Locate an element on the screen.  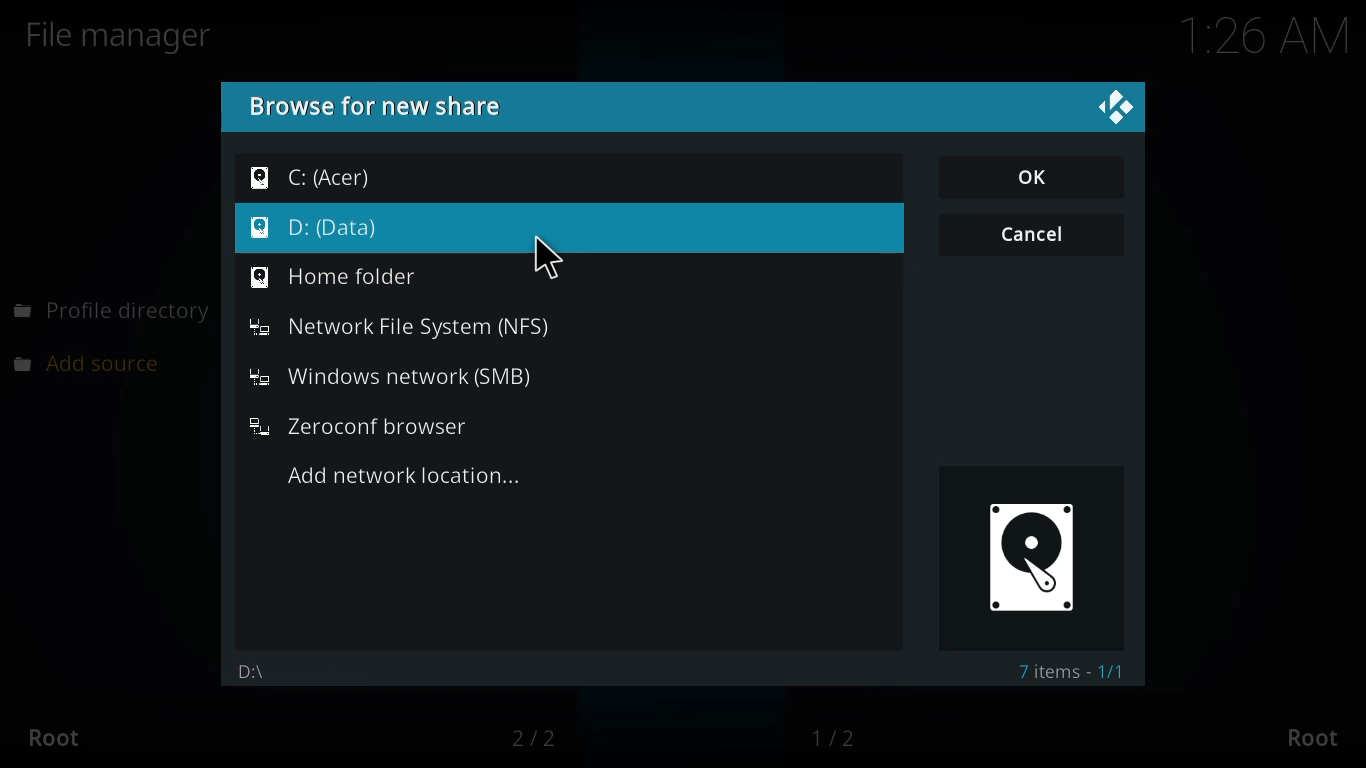
profile directory is located at coordinates (113, 312).